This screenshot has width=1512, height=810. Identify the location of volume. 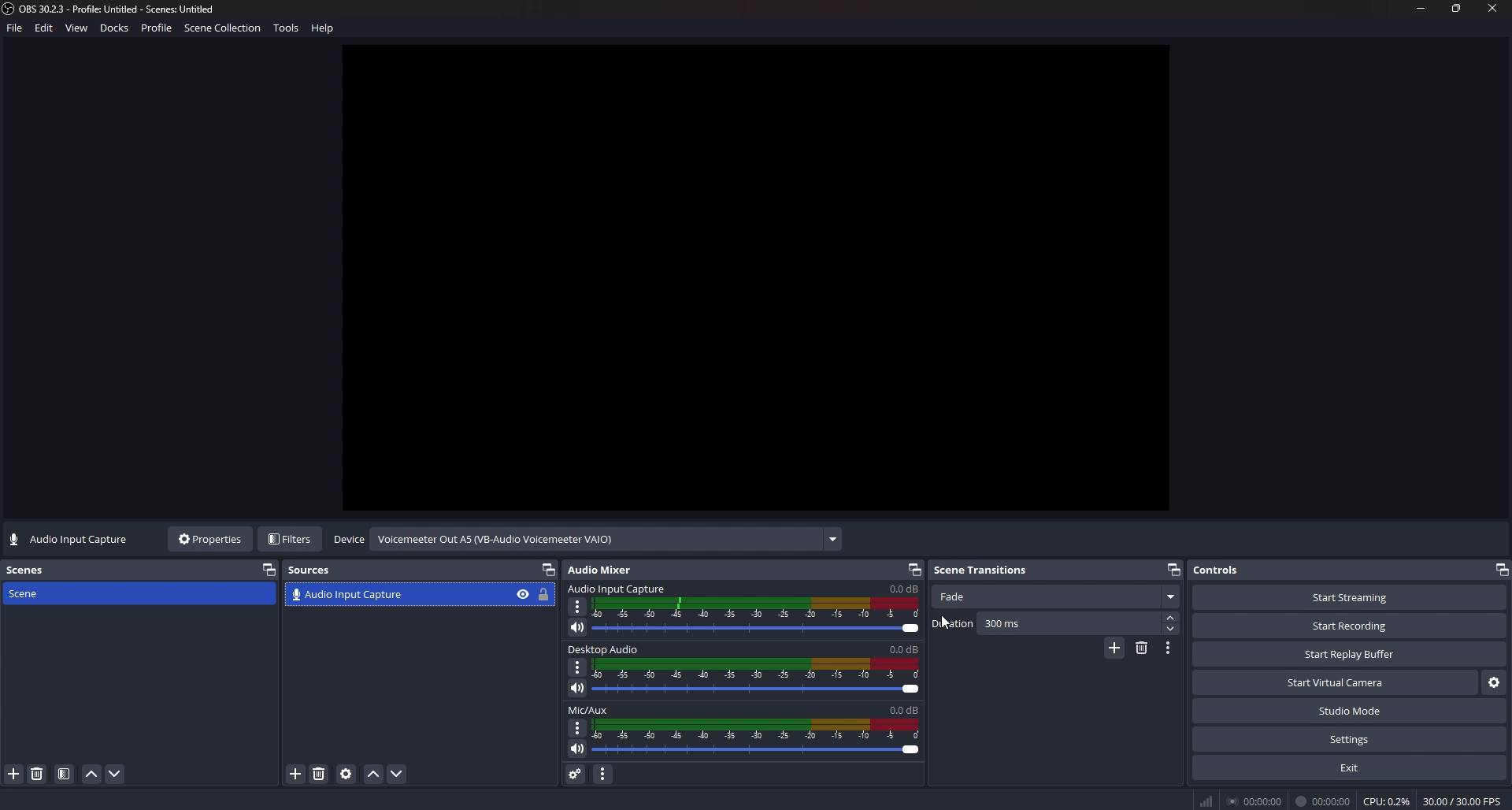
(574, 748).